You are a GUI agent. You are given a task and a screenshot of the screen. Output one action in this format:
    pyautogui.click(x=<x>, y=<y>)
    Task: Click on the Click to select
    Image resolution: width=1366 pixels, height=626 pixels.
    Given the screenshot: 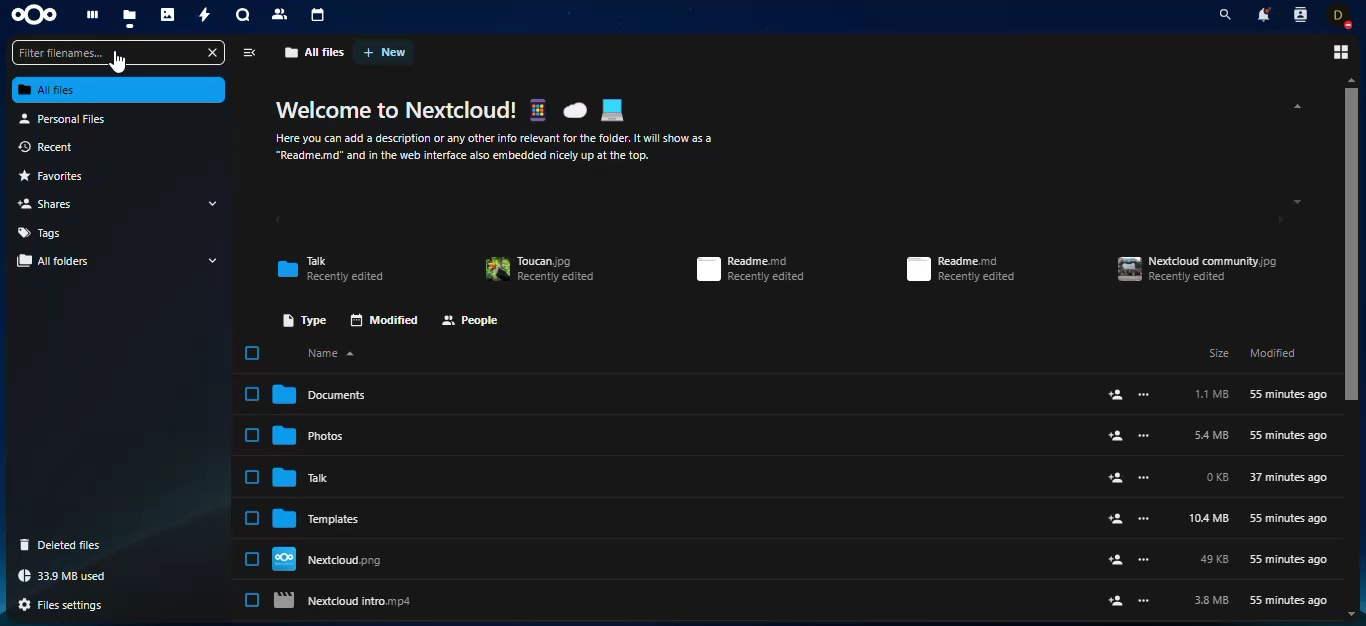 What is the action you would take?
    pyautogui.click(x=251, y=517)
    